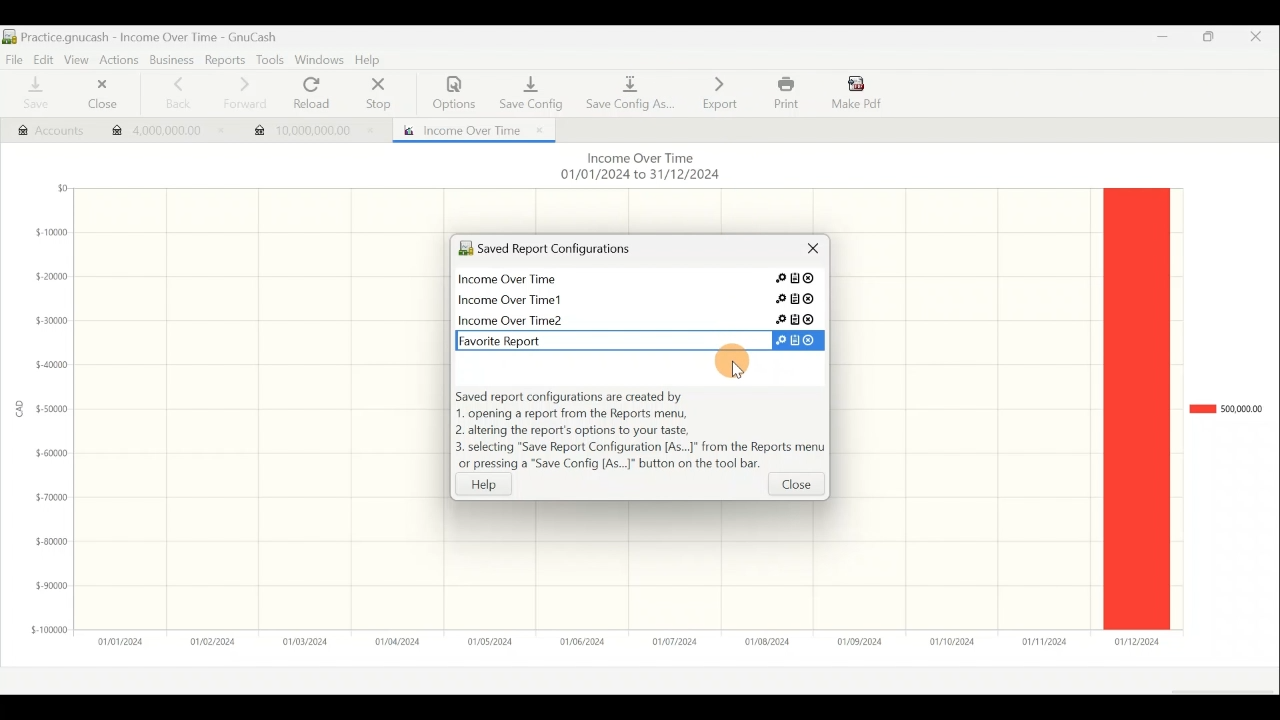  What do you see at coordinates (41, 128) in the screenshot?
I see `Accounts` at bounding box center [41, 128].